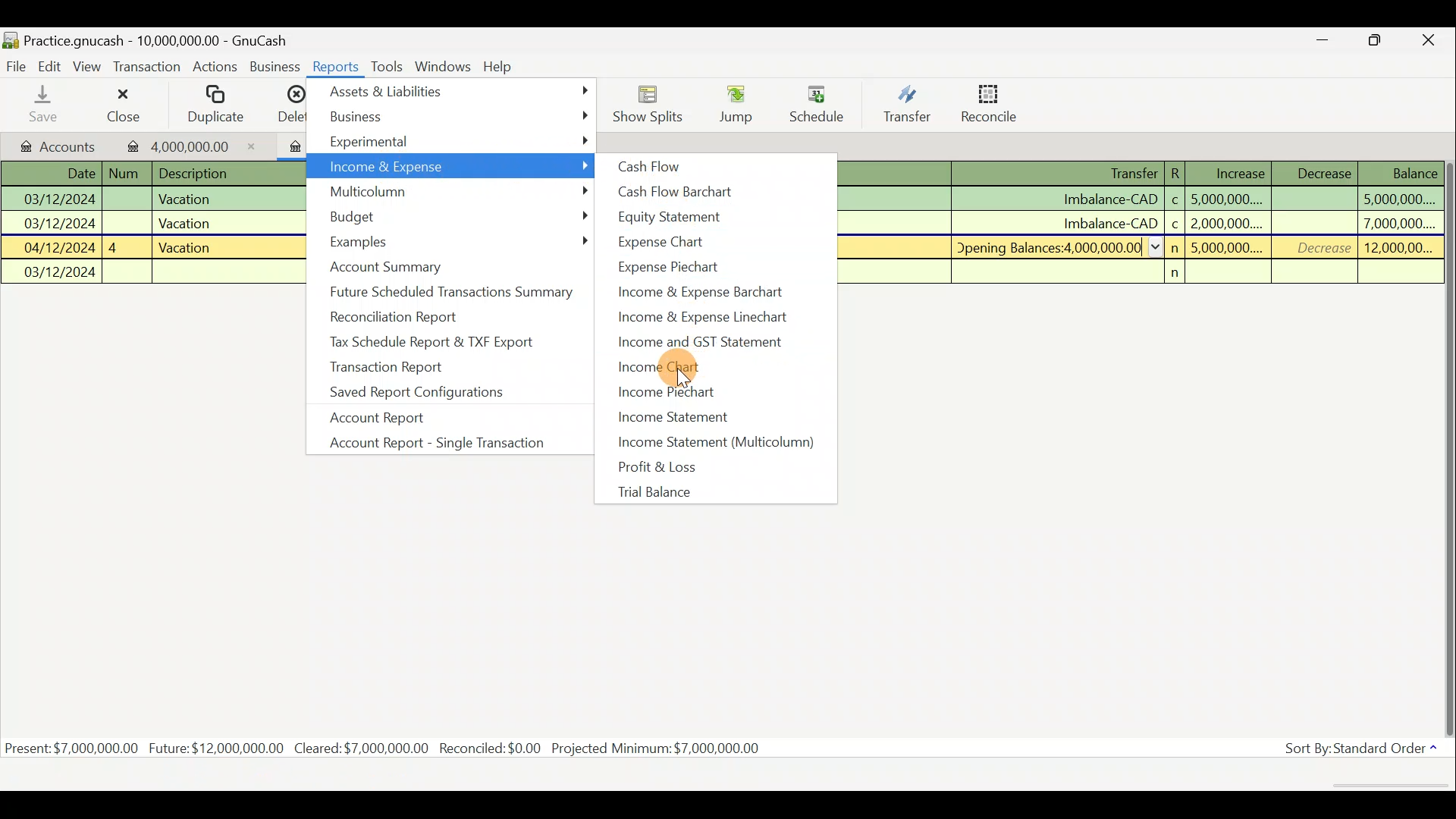 The image size is (1456, 819). Describe the element at coordinates (61, 222) in the screenshot. I see `03/12/2024` at that location.